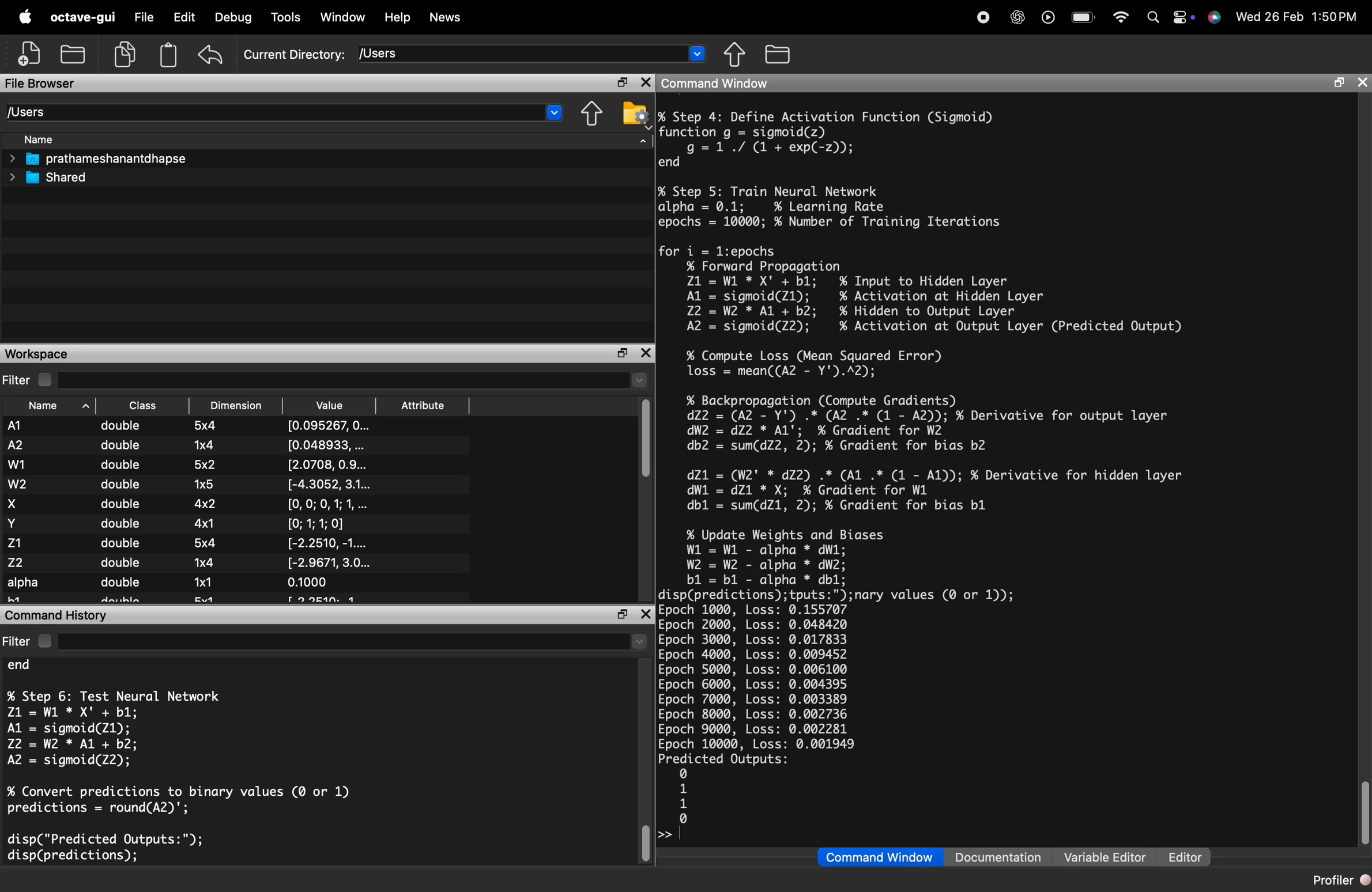 This screenshot has width=1372, height=892. I want to click on close, so click(646, 353).